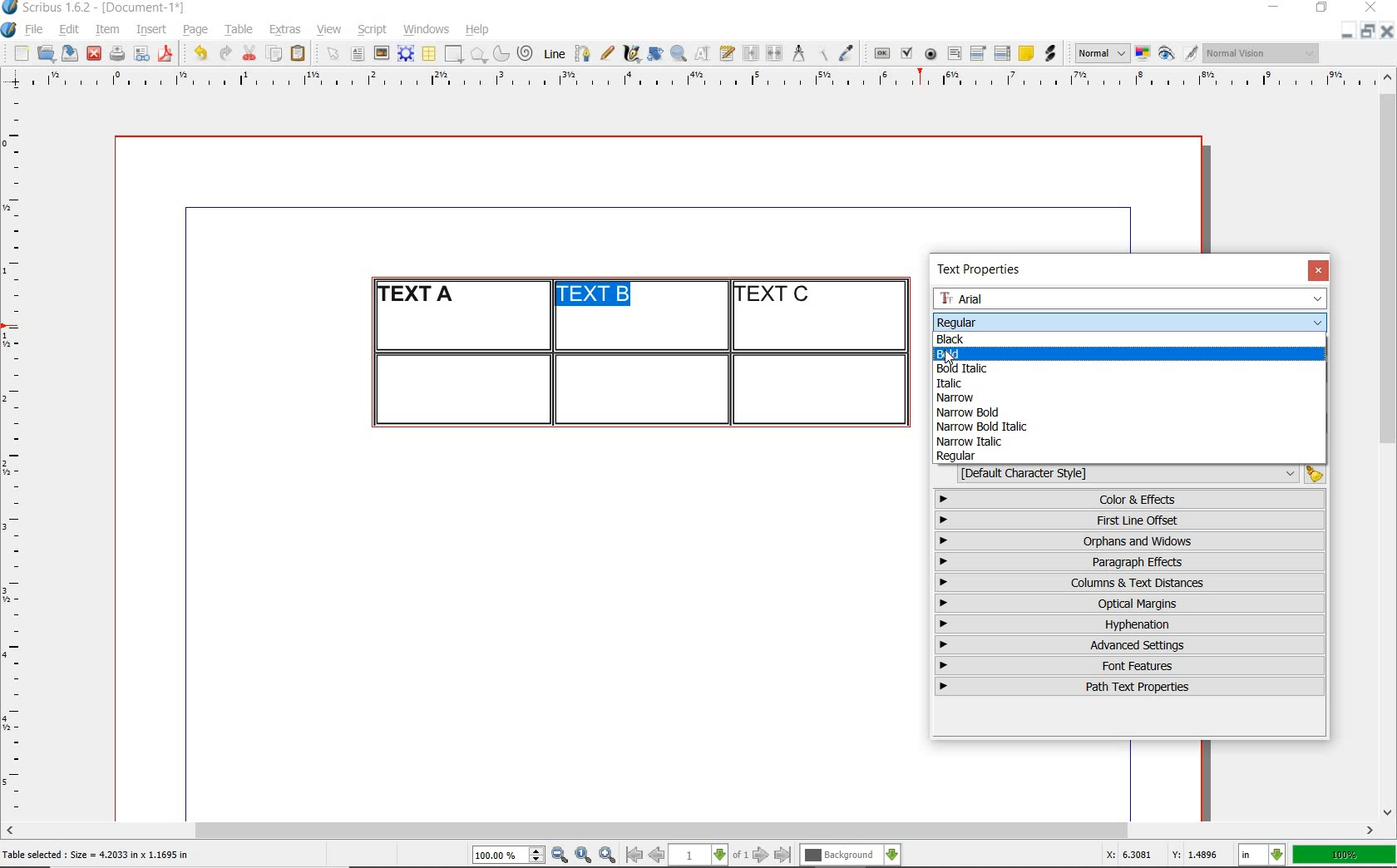 This screenshot has width=1397, height=868. What do you see at coordinates (168, 53) in the screenshot?
I see `save as pdf` at bounding box center [168, 53].